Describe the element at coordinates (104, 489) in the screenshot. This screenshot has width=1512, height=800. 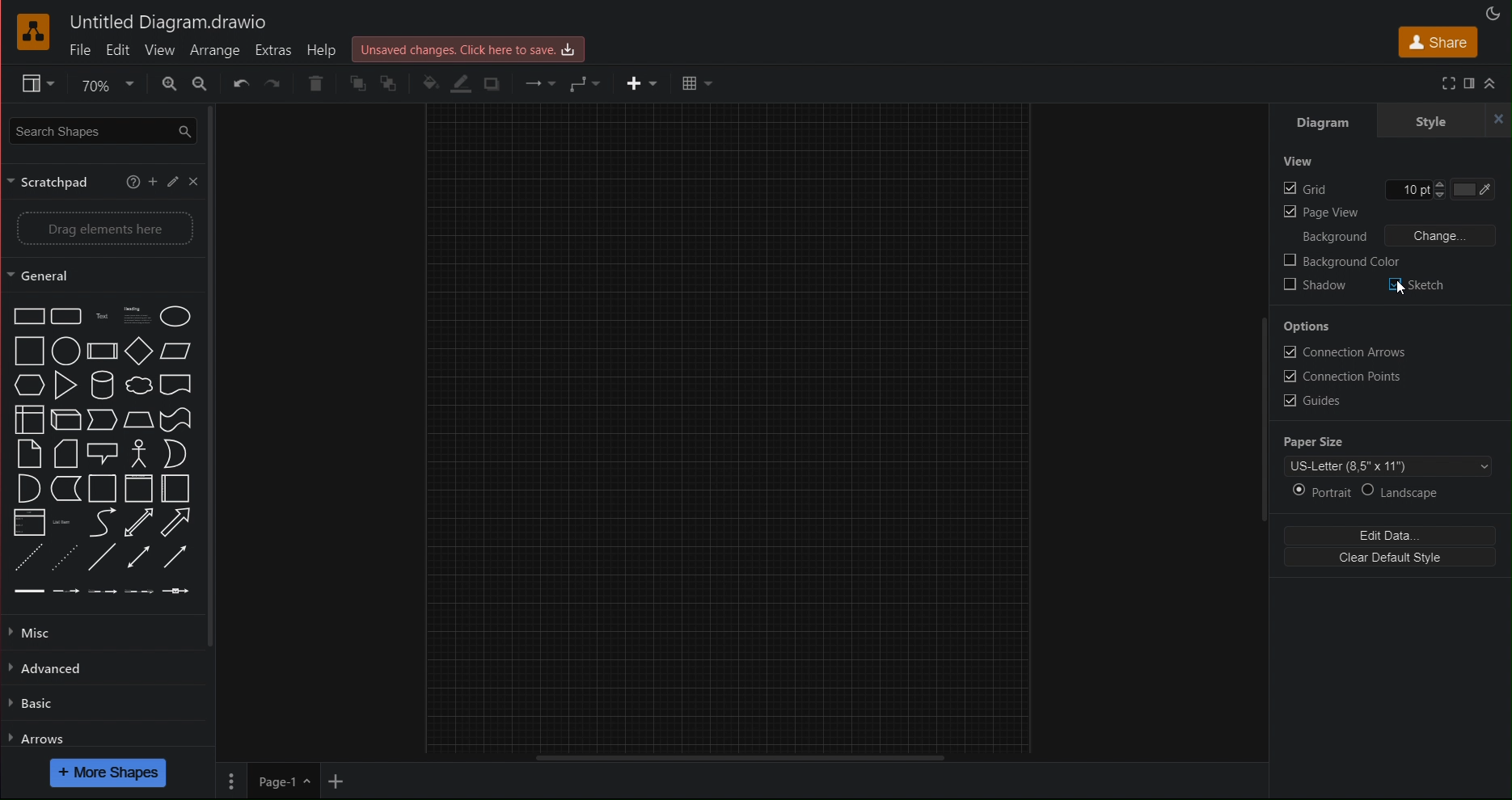
I see `container` at that location.